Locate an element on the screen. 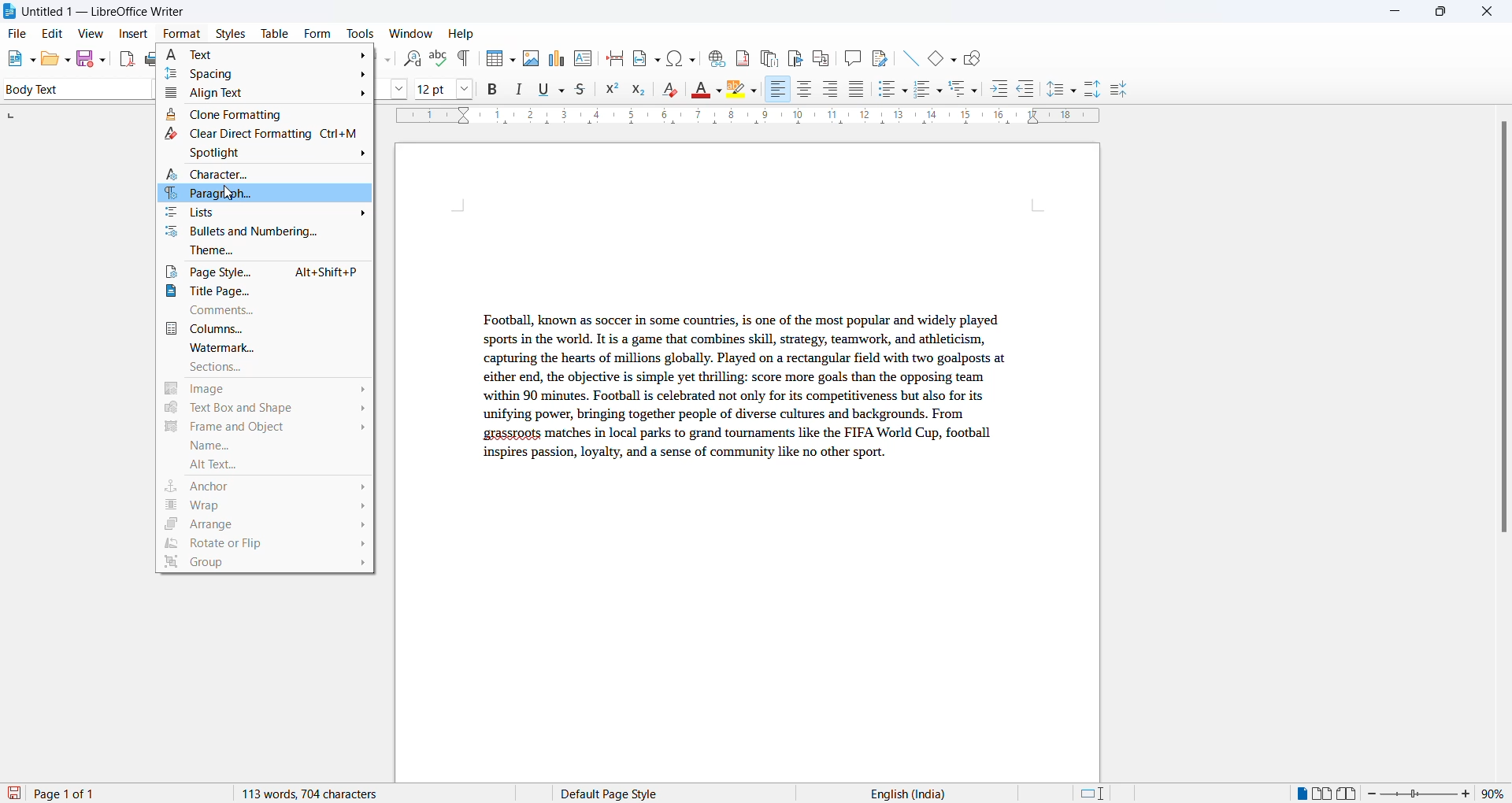 The width and height of the screenshot is (1512, 803). frame and object is located at coordinates (261, 428).